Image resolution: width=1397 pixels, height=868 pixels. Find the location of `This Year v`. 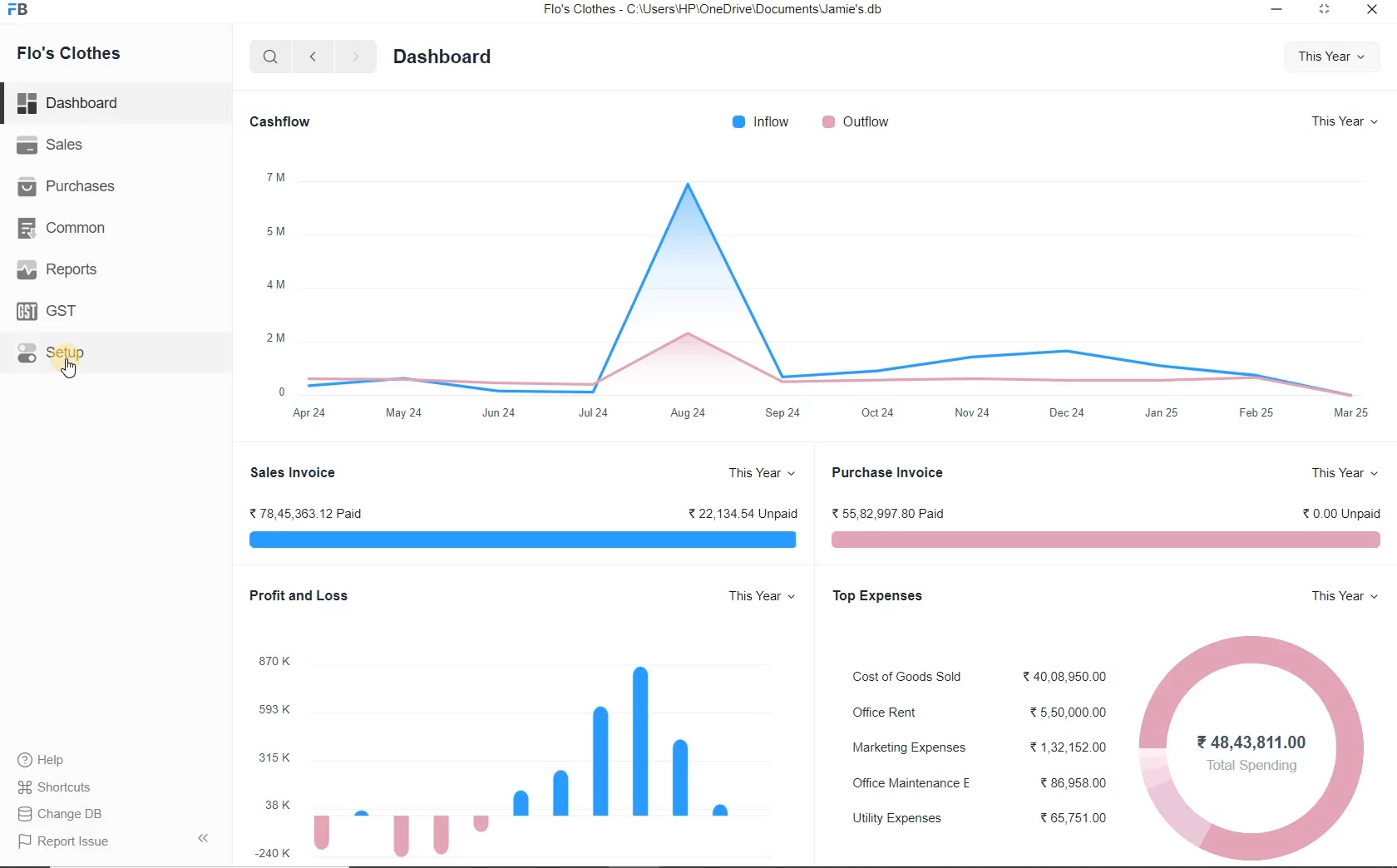

This Year v is located at coordinates (1346, 471).